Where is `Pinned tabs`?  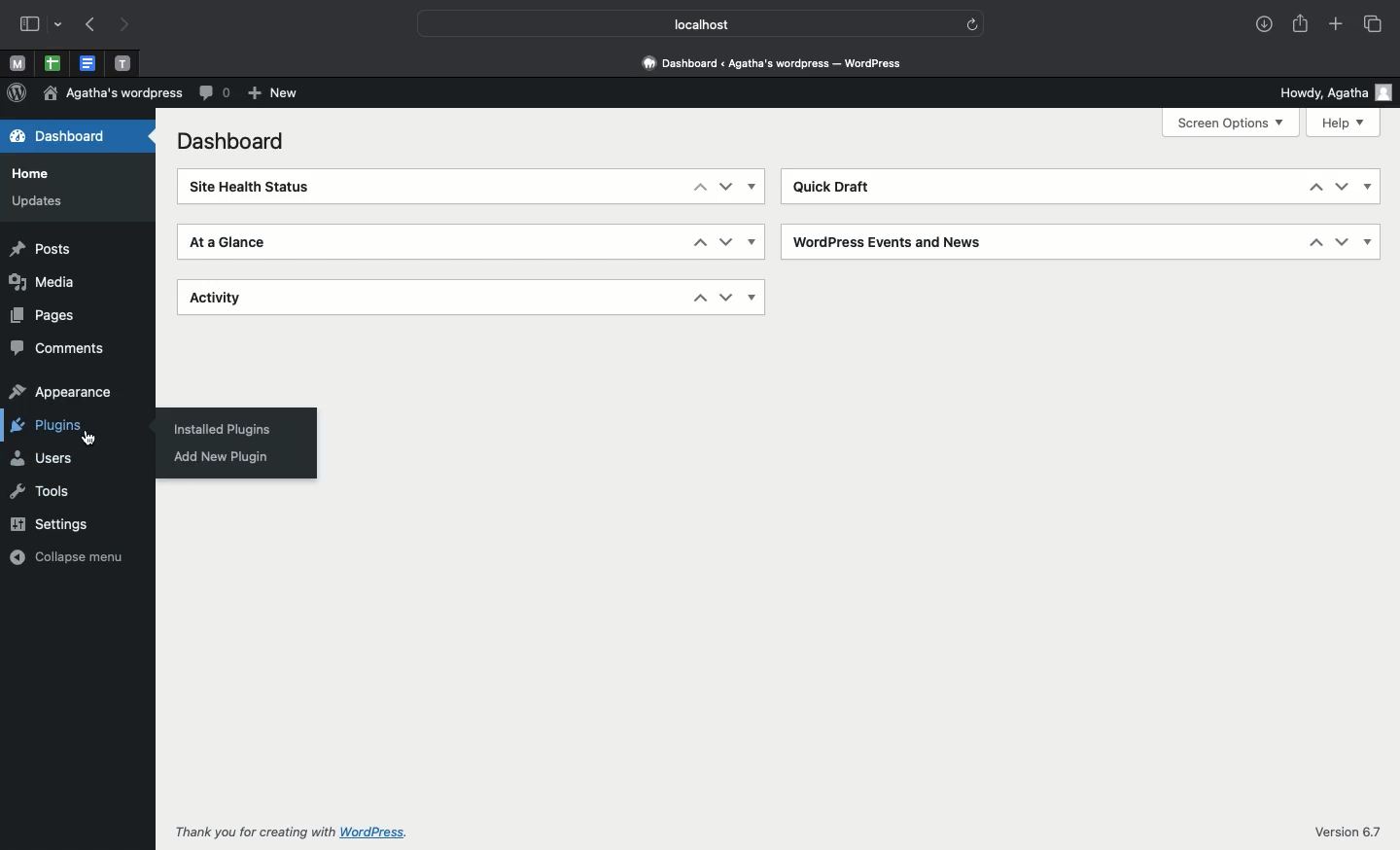
Pinned tabs is located at coordinates (125, 63).